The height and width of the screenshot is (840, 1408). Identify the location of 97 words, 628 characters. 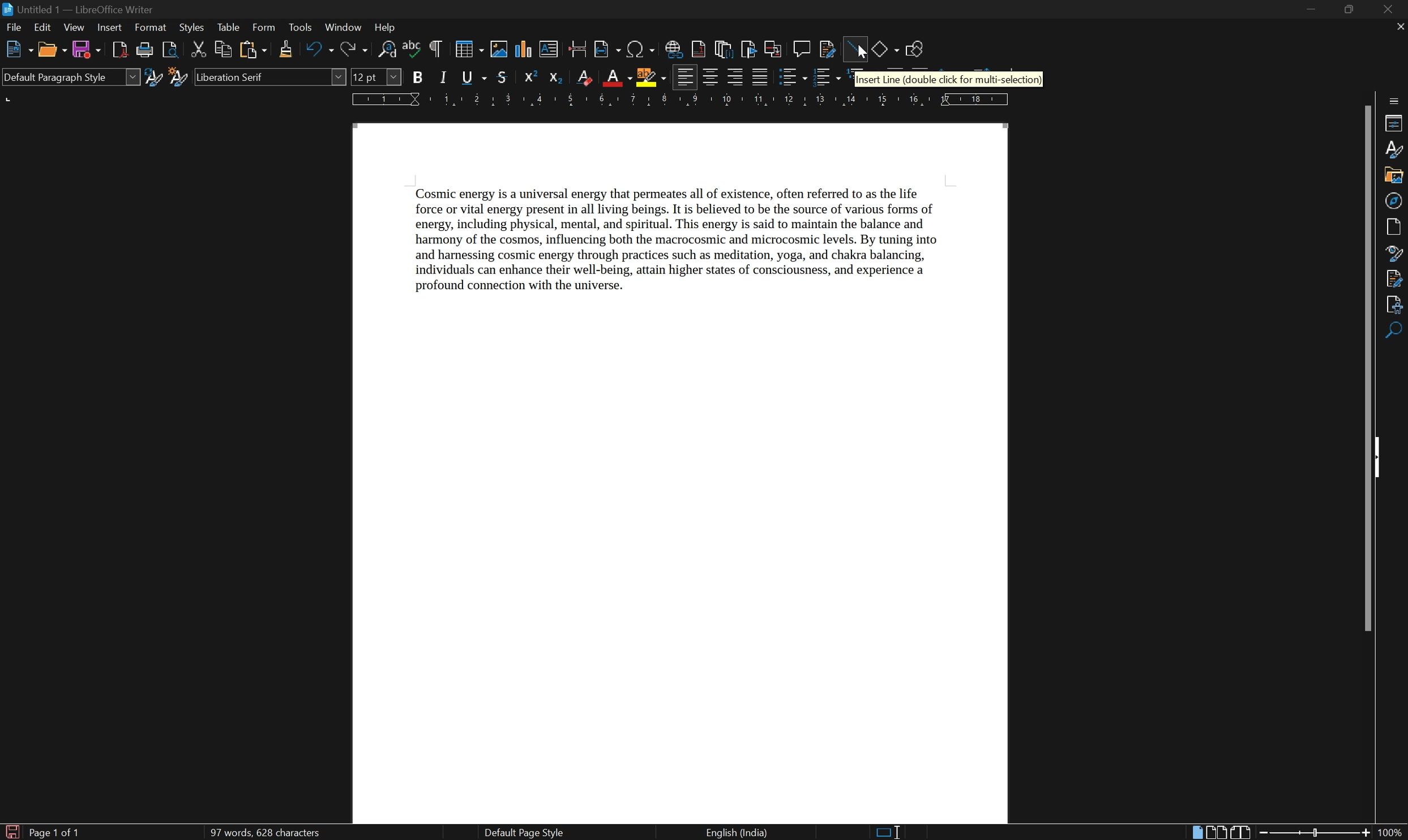
(264, 833).